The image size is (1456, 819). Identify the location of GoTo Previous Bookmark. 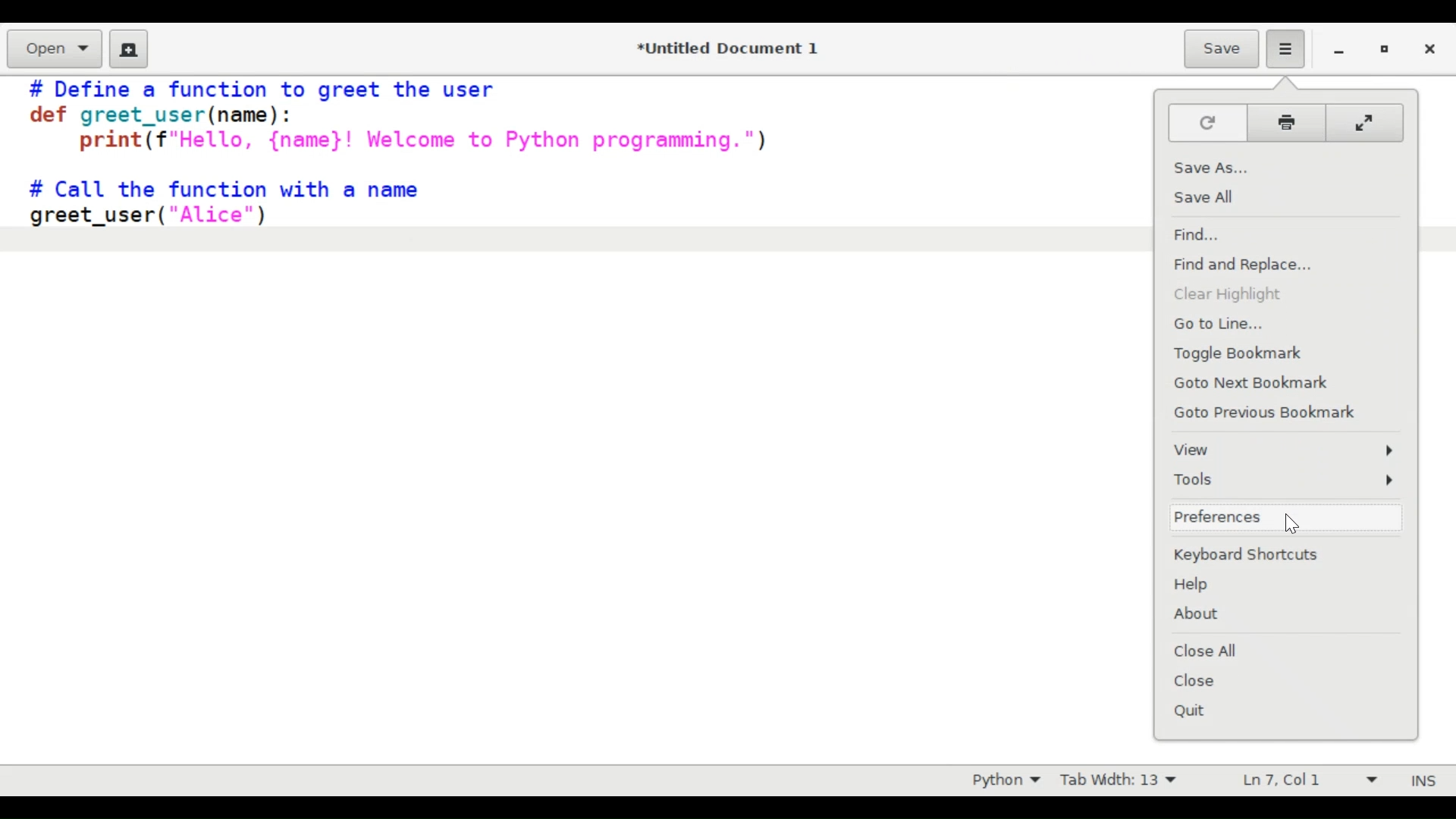
(1276, 413).